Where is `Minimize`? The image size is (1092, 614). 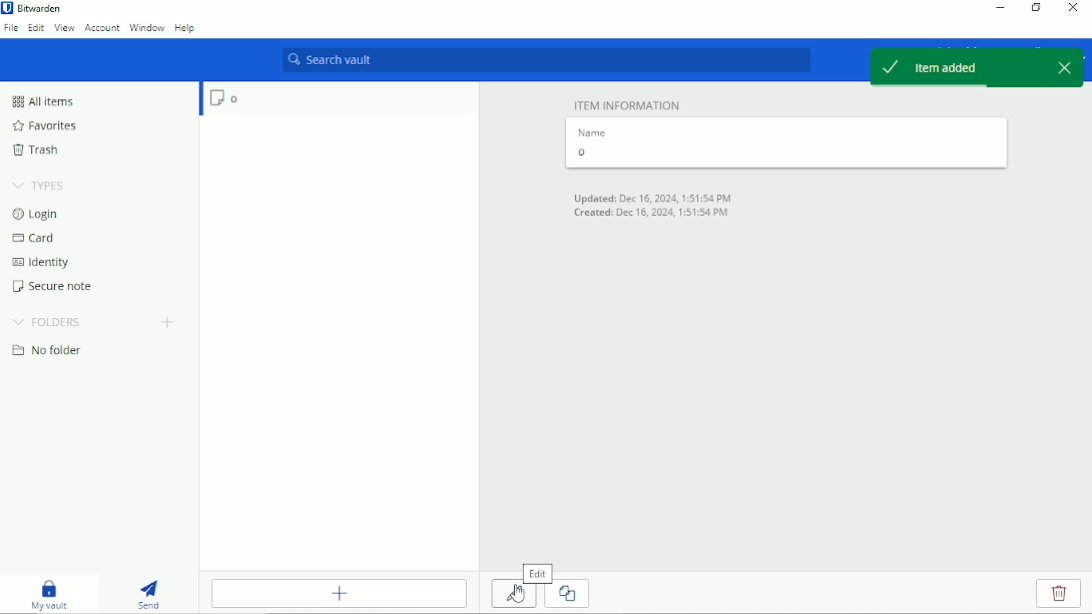 Minimize is located at coordinates (998, 9).